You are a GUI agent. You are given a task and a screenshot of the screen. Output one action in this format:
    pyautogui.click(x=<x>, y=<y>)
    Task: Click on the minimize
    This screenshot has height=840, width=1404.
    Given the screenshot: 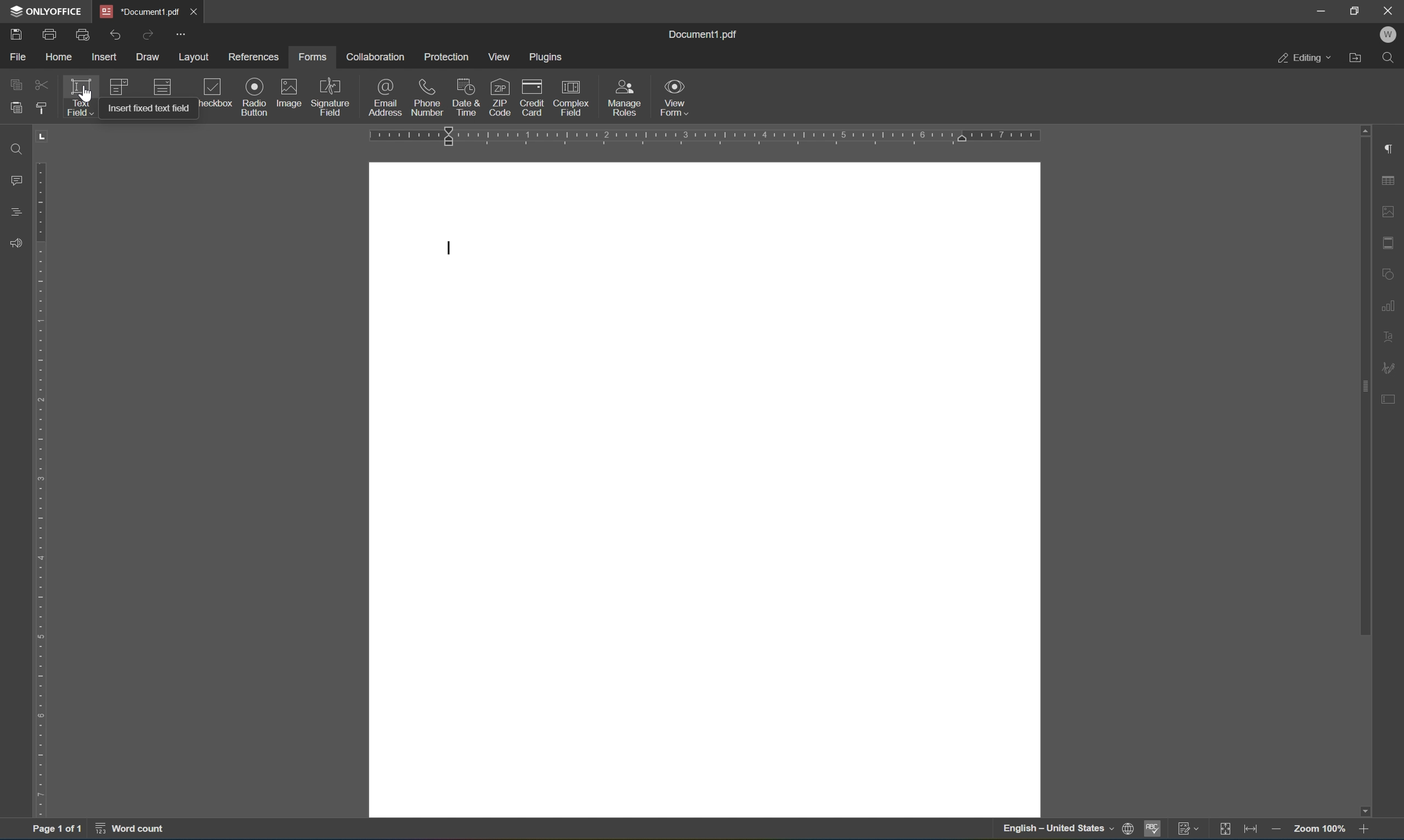 What is the action you would take?
    pyautogui.click(x=1320, y=10)
    